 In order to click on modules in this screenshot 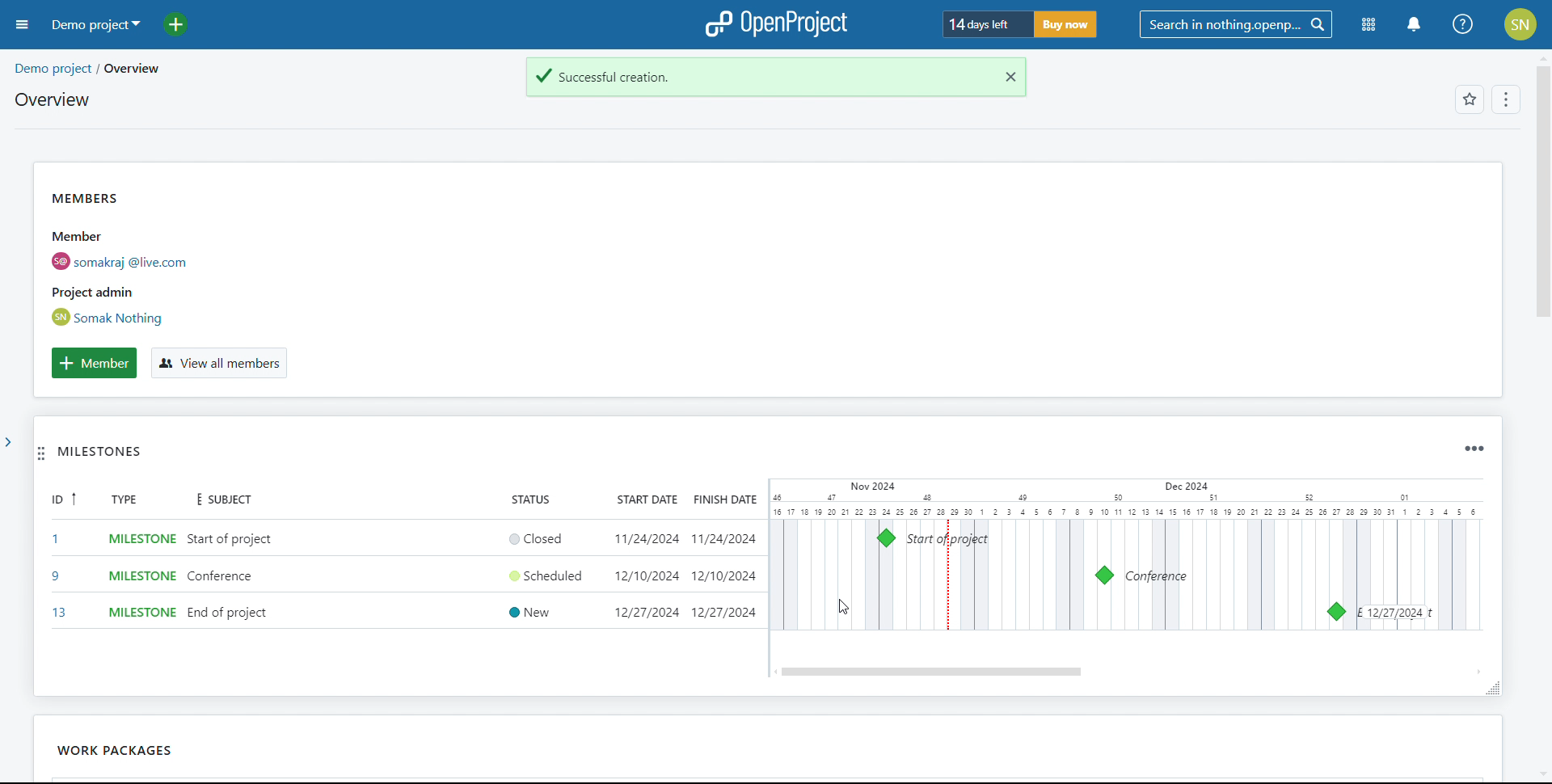, I will do `click(1369, 26)`.